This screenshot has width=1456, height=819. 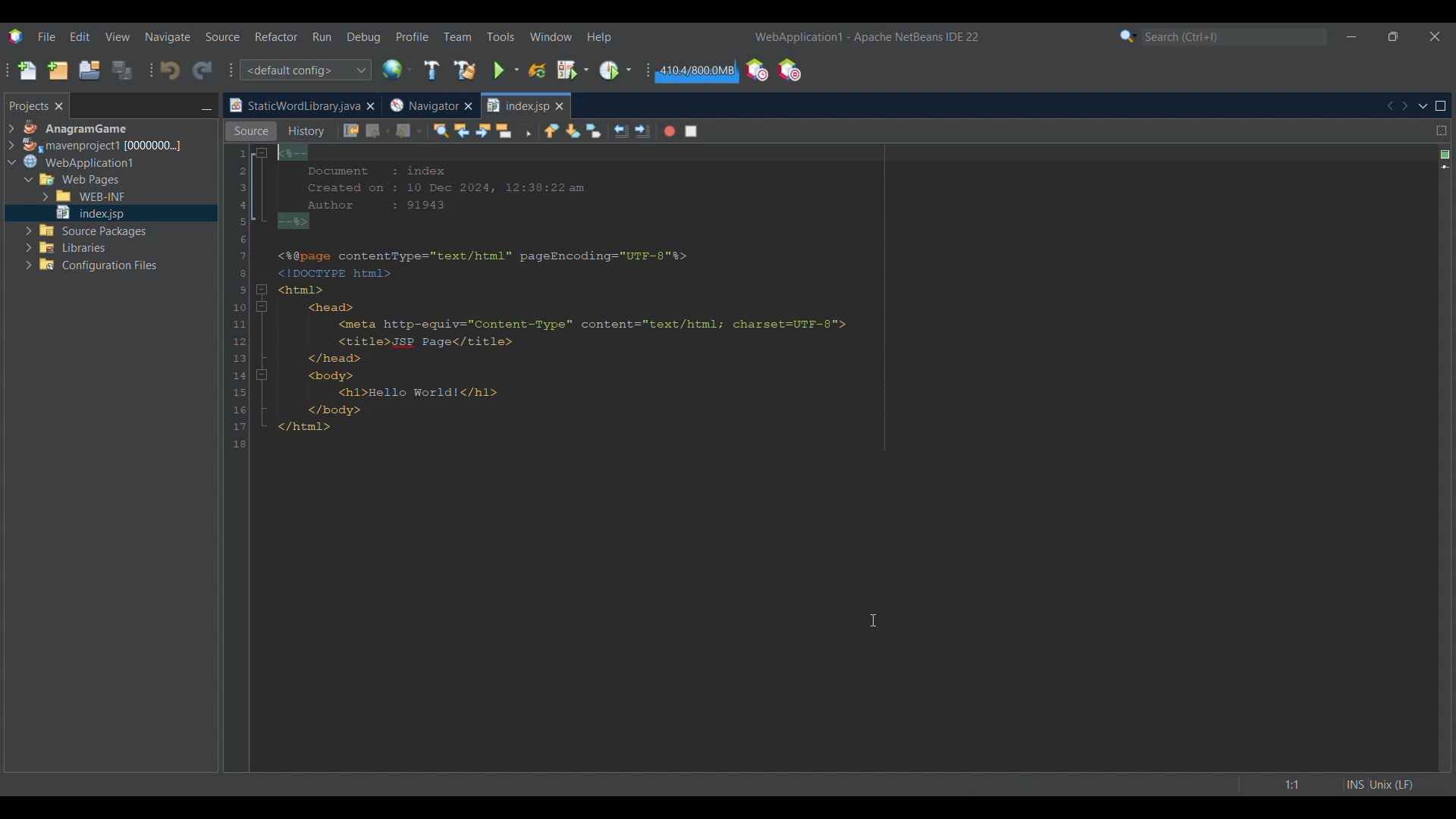 What do you see at coordinates (551, 36) in the screenshot?
I see `Window menu` at bounding box center [551, 36].